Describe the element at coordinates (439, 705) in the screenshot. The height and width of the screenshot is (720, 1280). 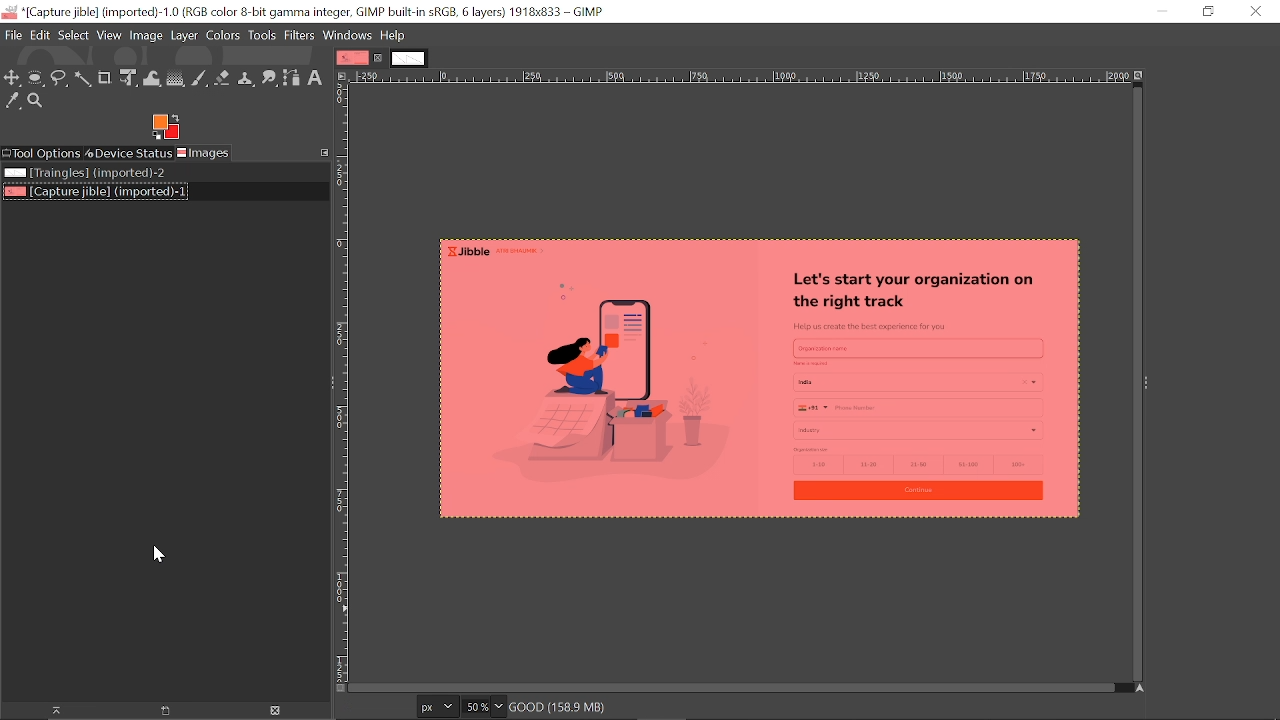
I see `Current image units` at that location.